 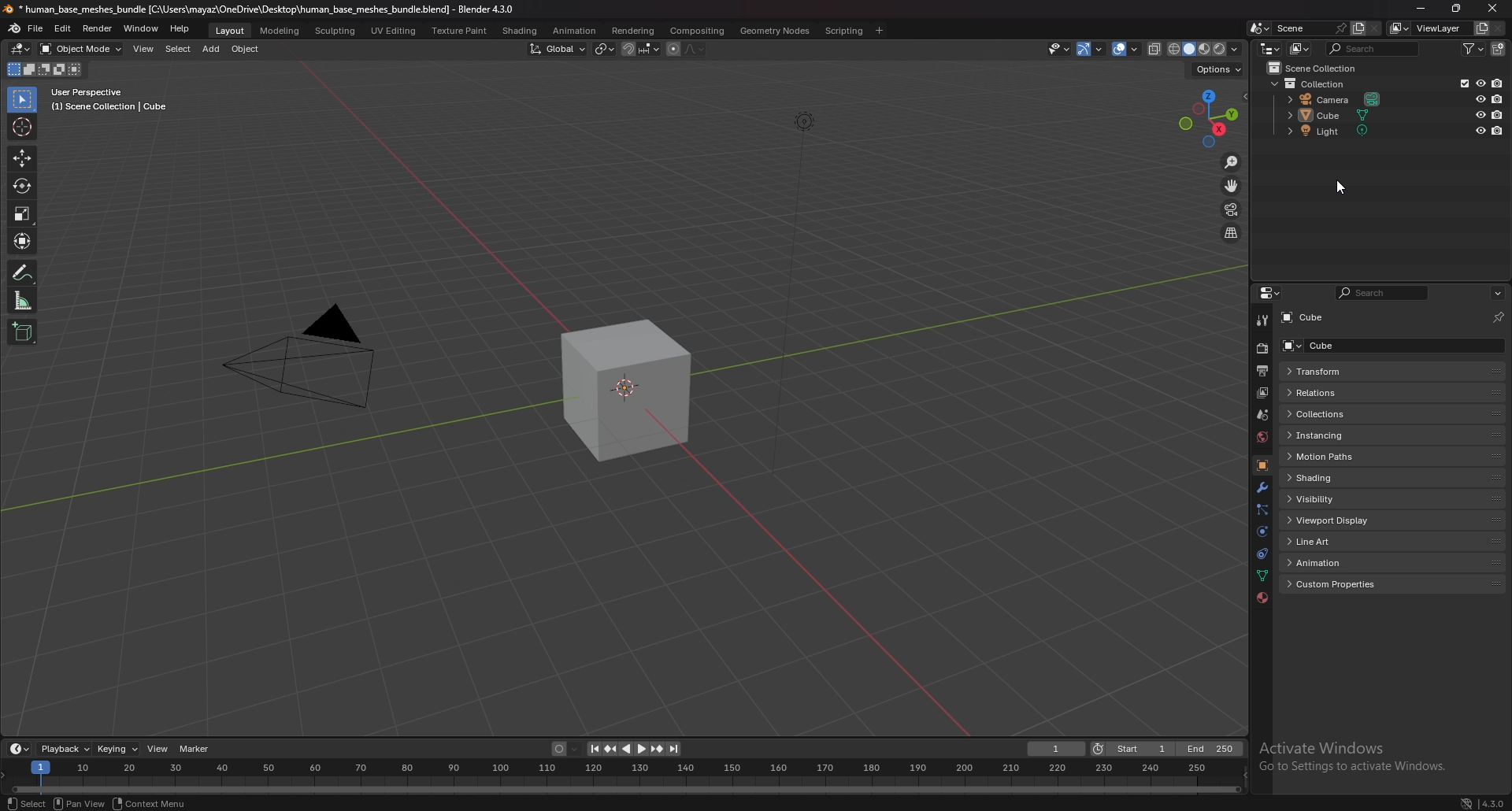 What do you see at coordinates (1338, 435) in the screenshot?
I see `instancing` at bounding box center [1338, 435].